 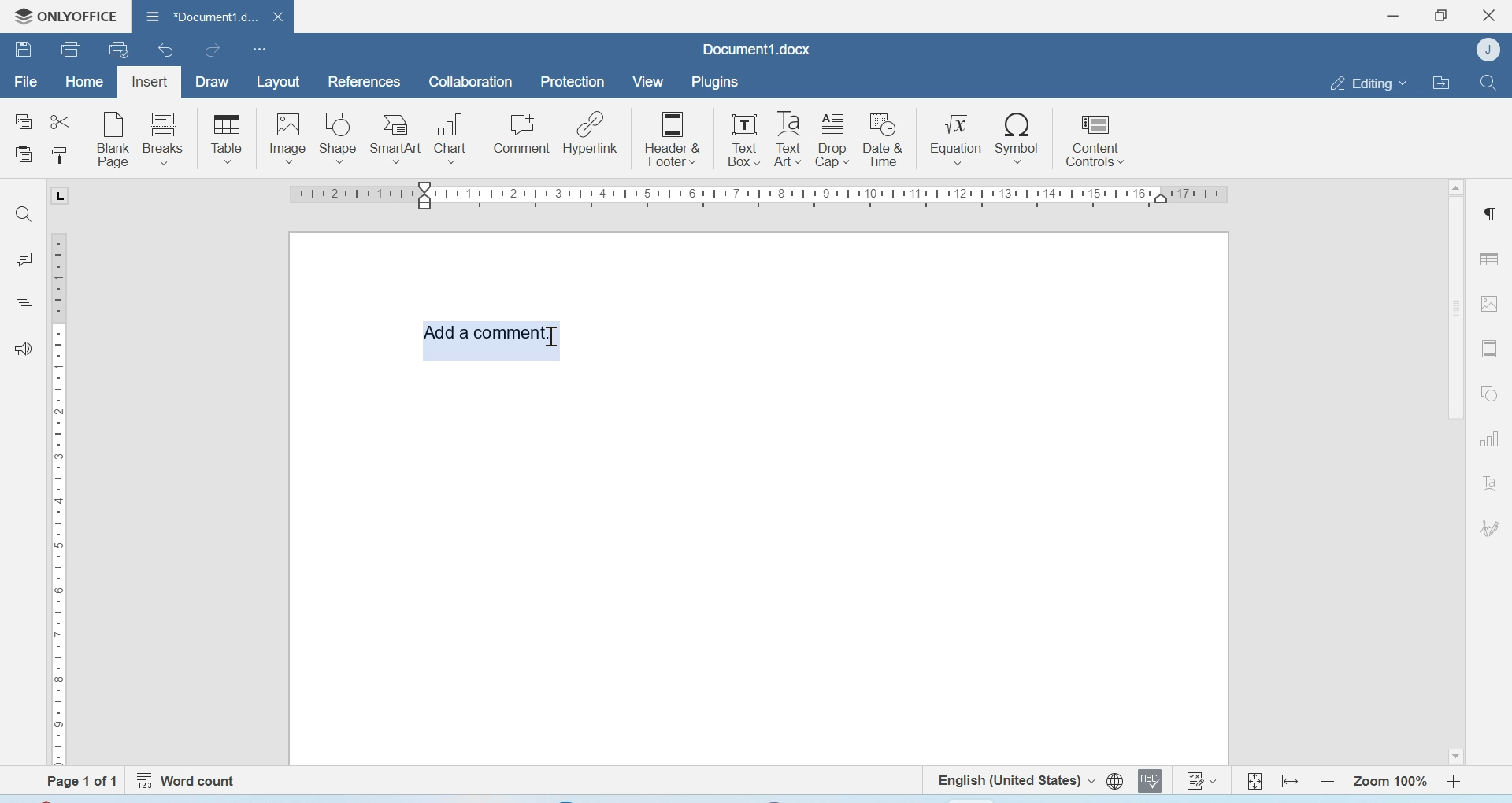 I want to click on Table, so click(x=227, y=139).